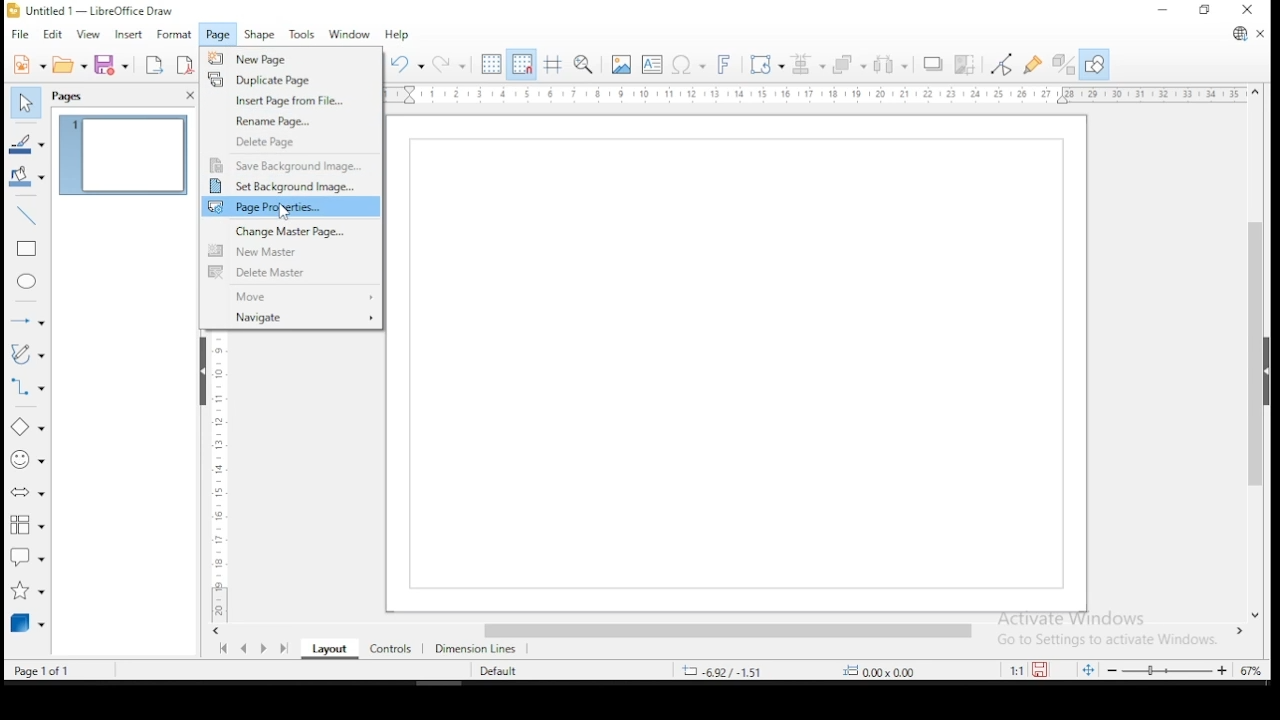 Image resolution: width=1280 pixels, height=720 pixels. I want to click on layout, so click(328, 650).